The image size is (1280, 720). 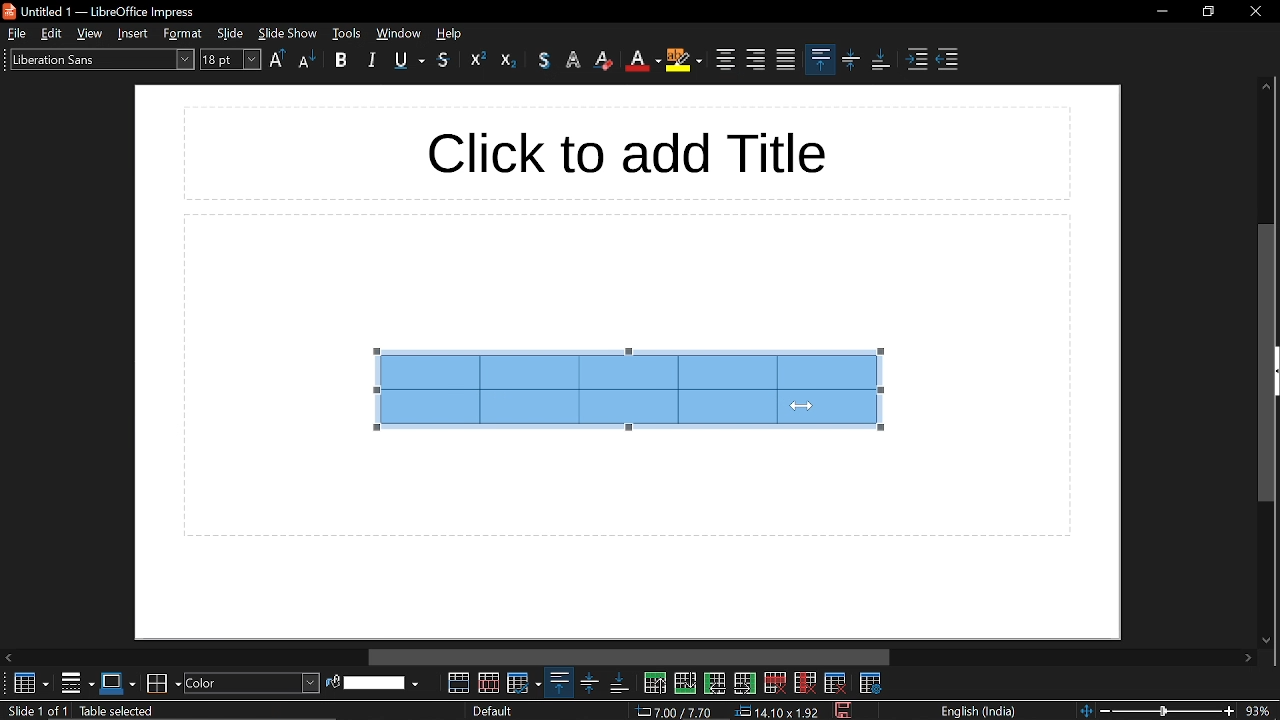 I want to click on vertical scrollbar, so click(x=1264, y=361).